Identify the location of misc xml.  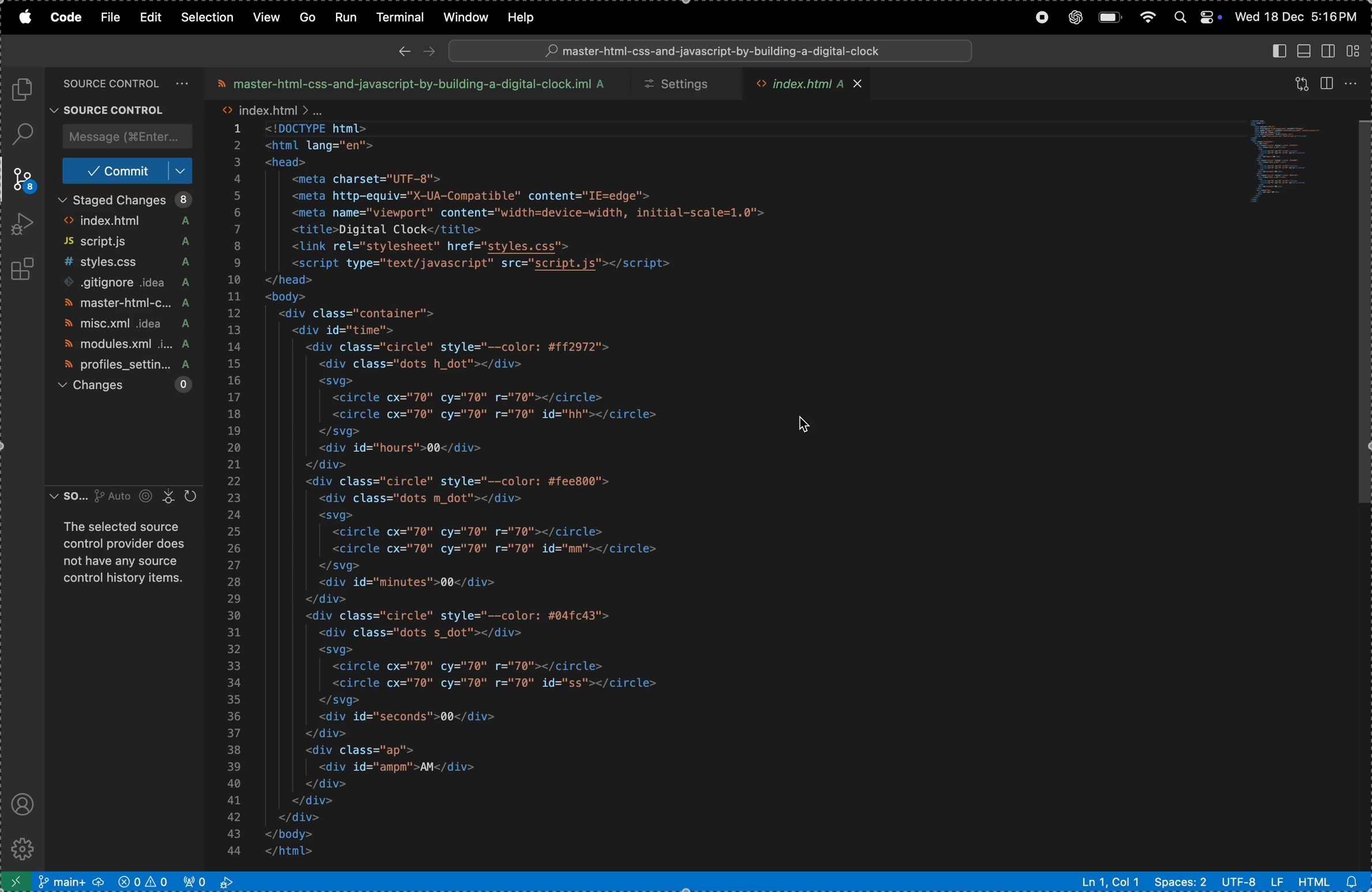
(122, 326).